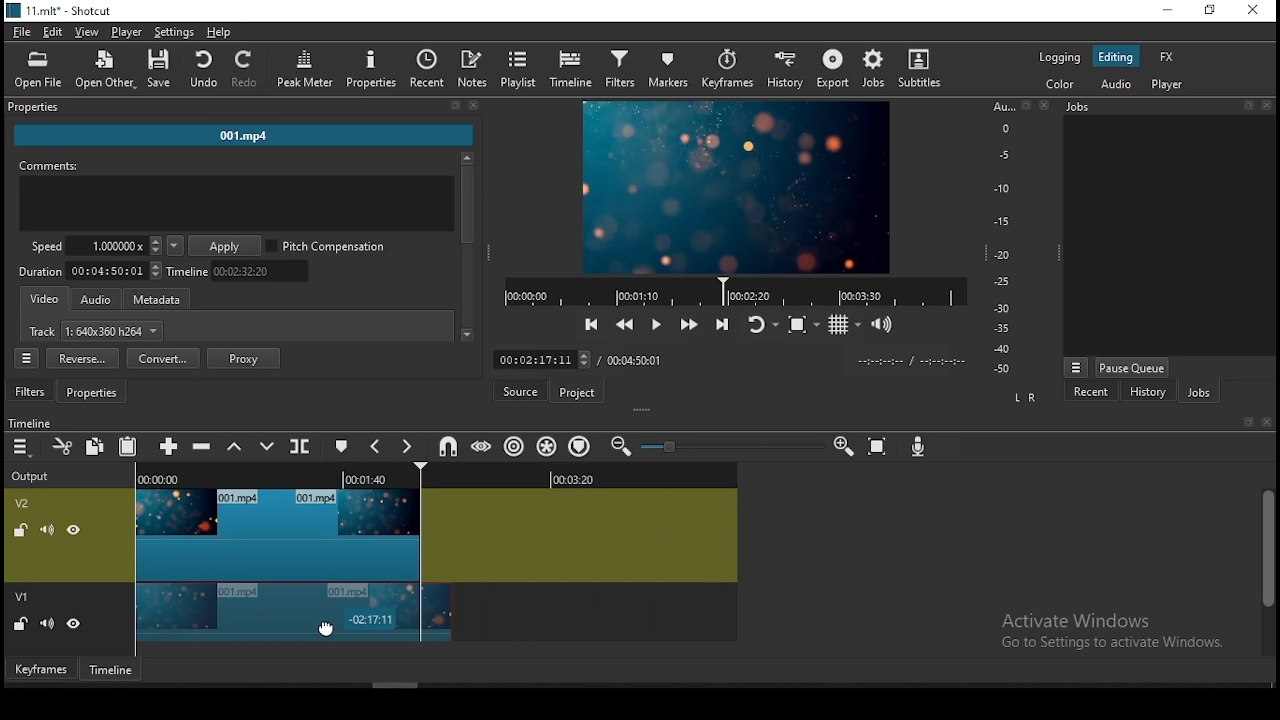 The width and height of the screenshot is (1280, 720). What do you see at coordinates (729, 446) in the screenshot?
I see `Zoom slider` at bounding box center [729, 446].